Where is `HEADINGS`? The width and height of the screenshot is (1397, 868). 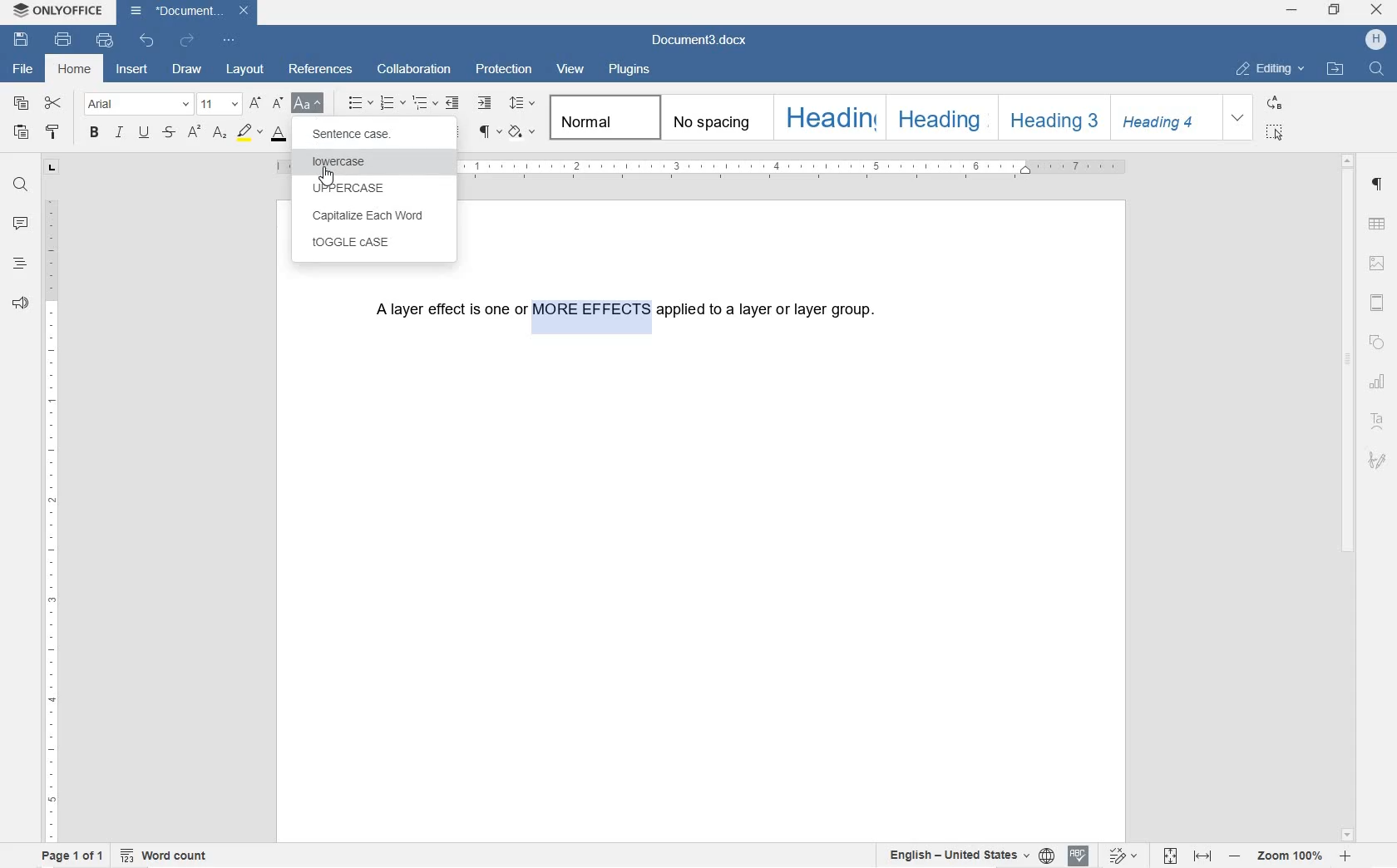 HEADINGS is located at coordinates (19, 265).